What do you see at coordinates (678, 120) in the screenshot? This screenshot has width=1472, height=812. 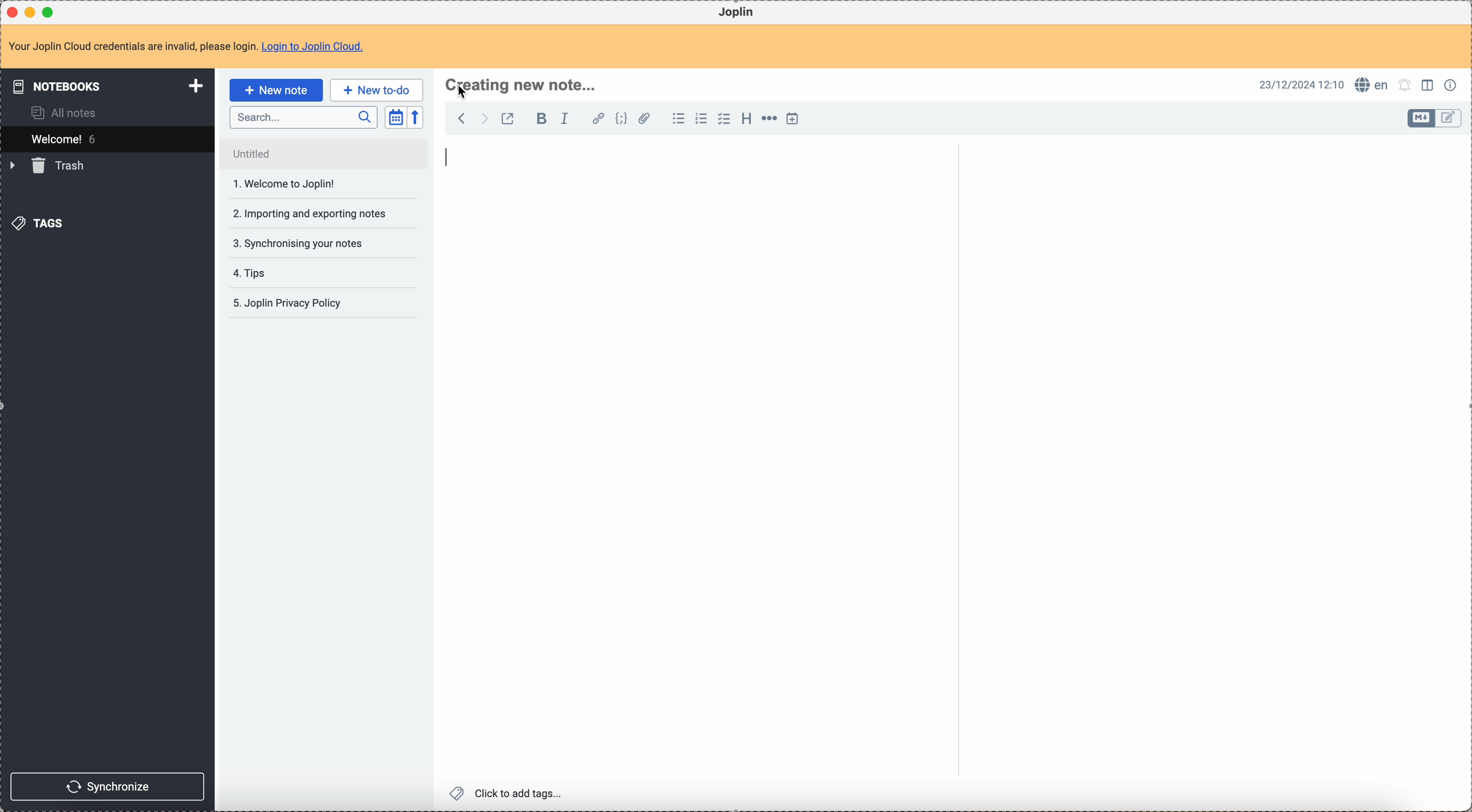 I see `bulleted list` at bounding box center [678, 120].